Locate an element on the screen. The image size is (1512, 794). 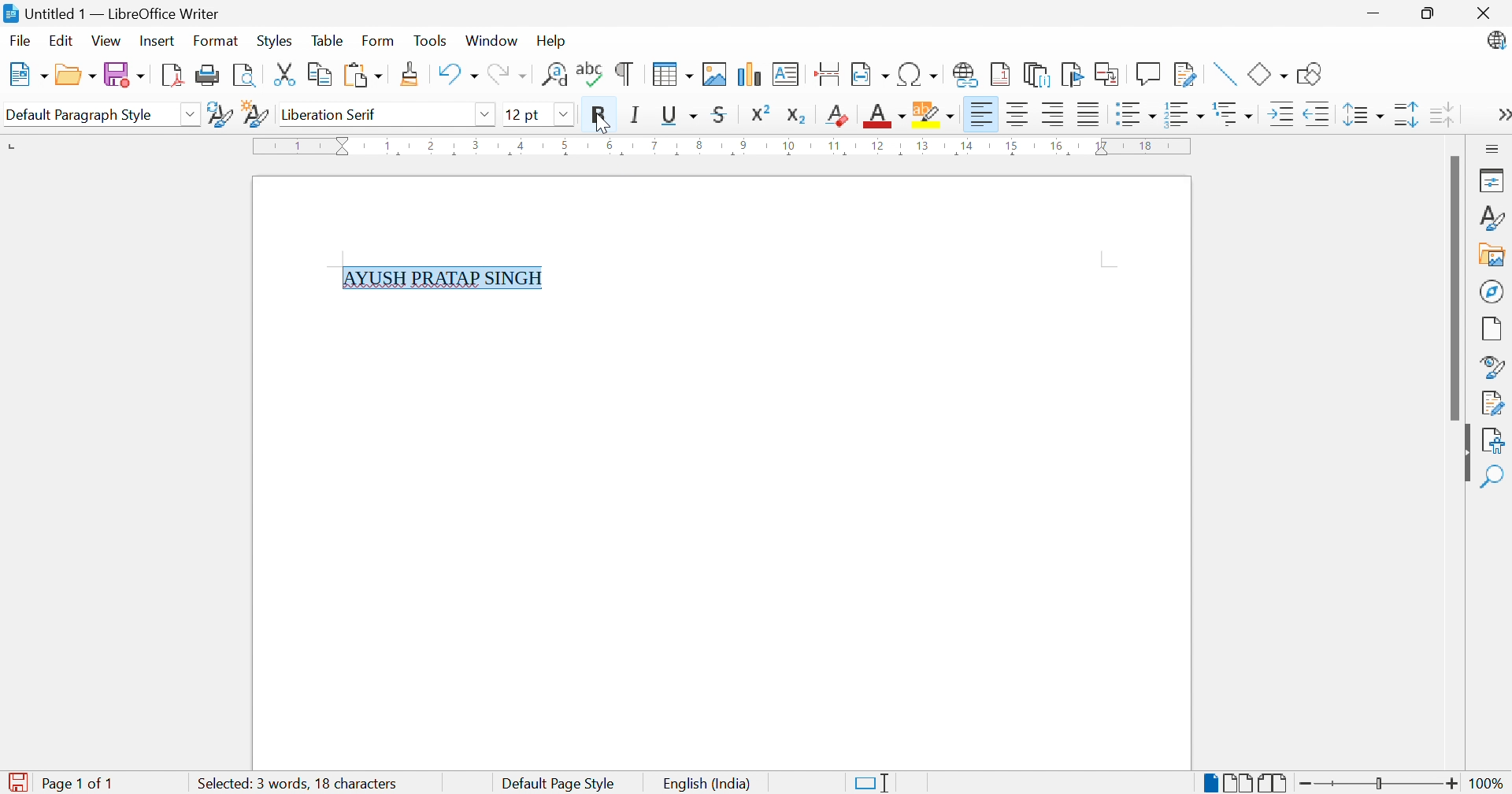
The document has been modified. Click to save the document. is located at coordinates (20, 781).